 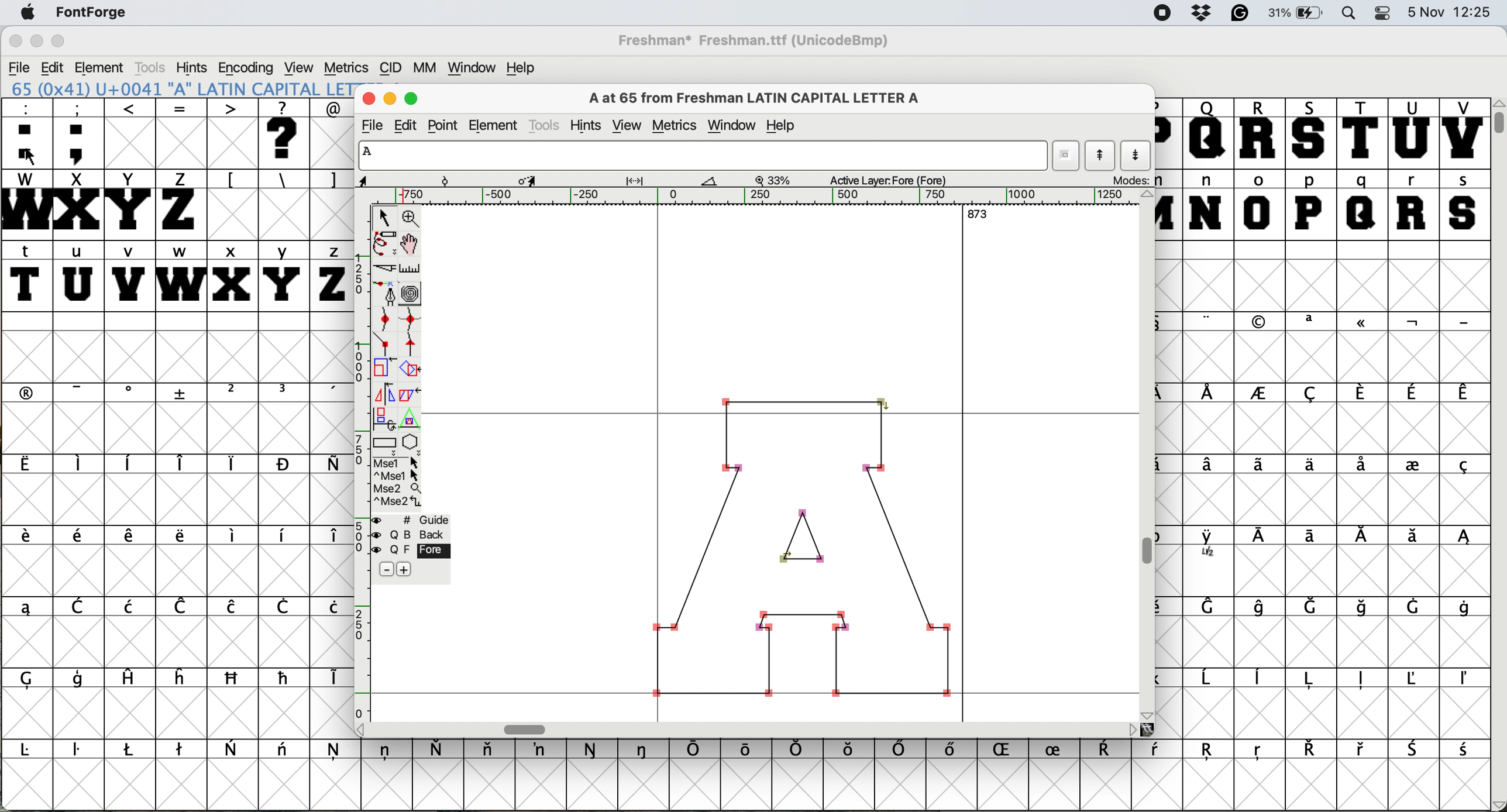 What do you see at coordinates (129, 679) in the screenshot?
I see `symbol` at bounding box center [129, 679].